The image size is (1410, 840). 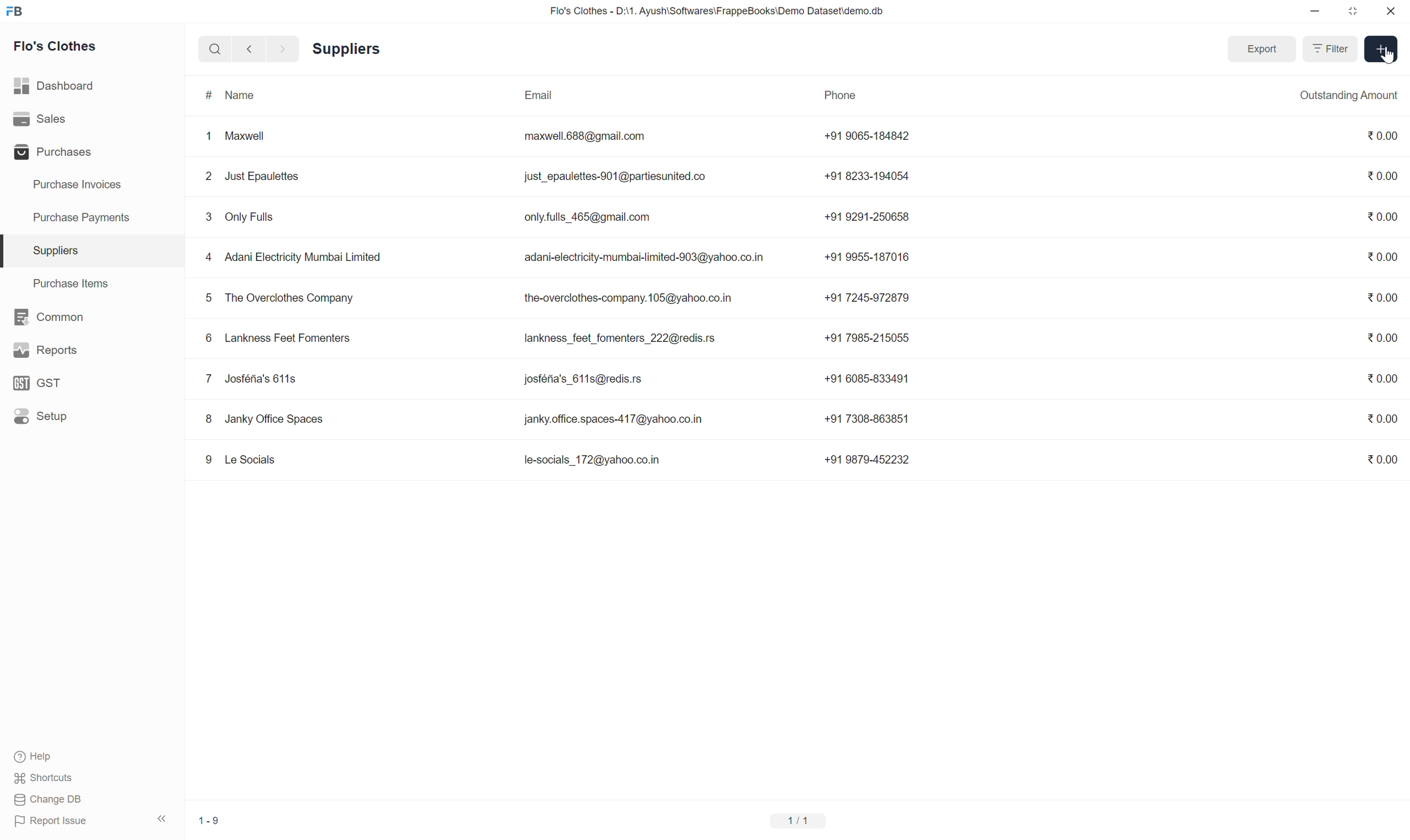 I want to click on Email, so click(x=648, y=96).